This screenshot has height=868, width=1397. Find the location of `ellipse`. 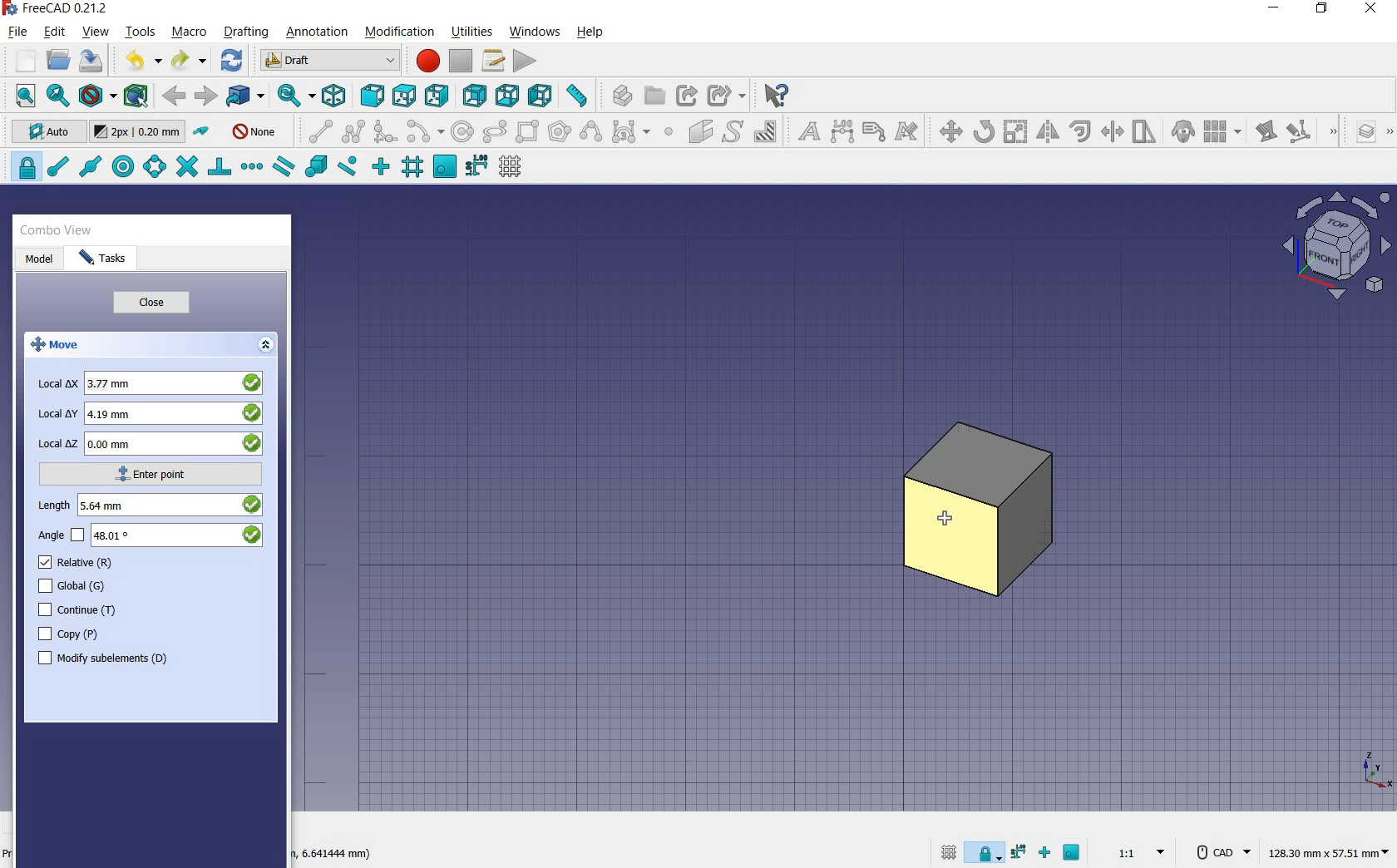

ellipse is located at coordinates (496, 132).